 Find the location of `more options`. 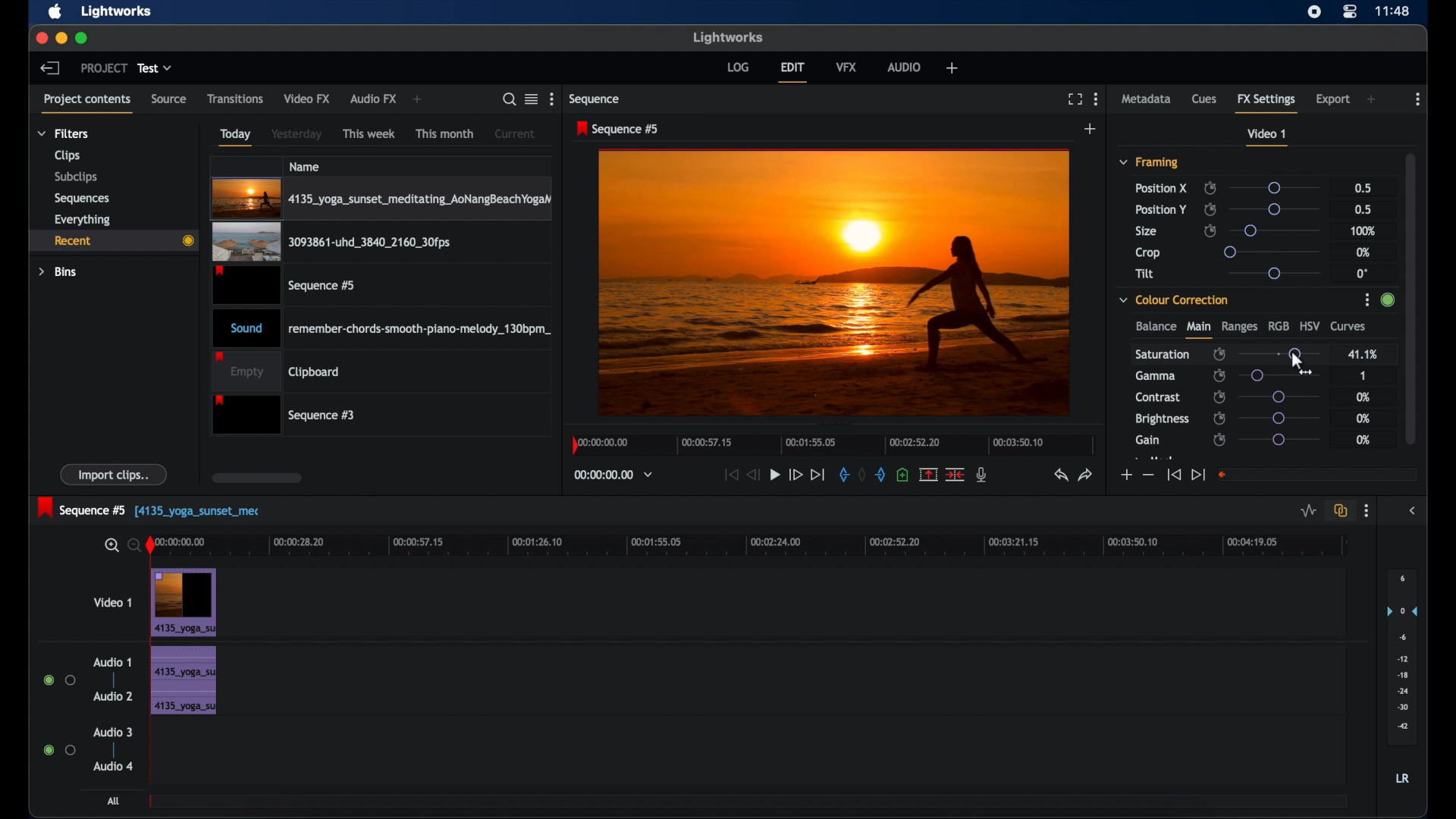

more options is located at coordinates (1367, 511).